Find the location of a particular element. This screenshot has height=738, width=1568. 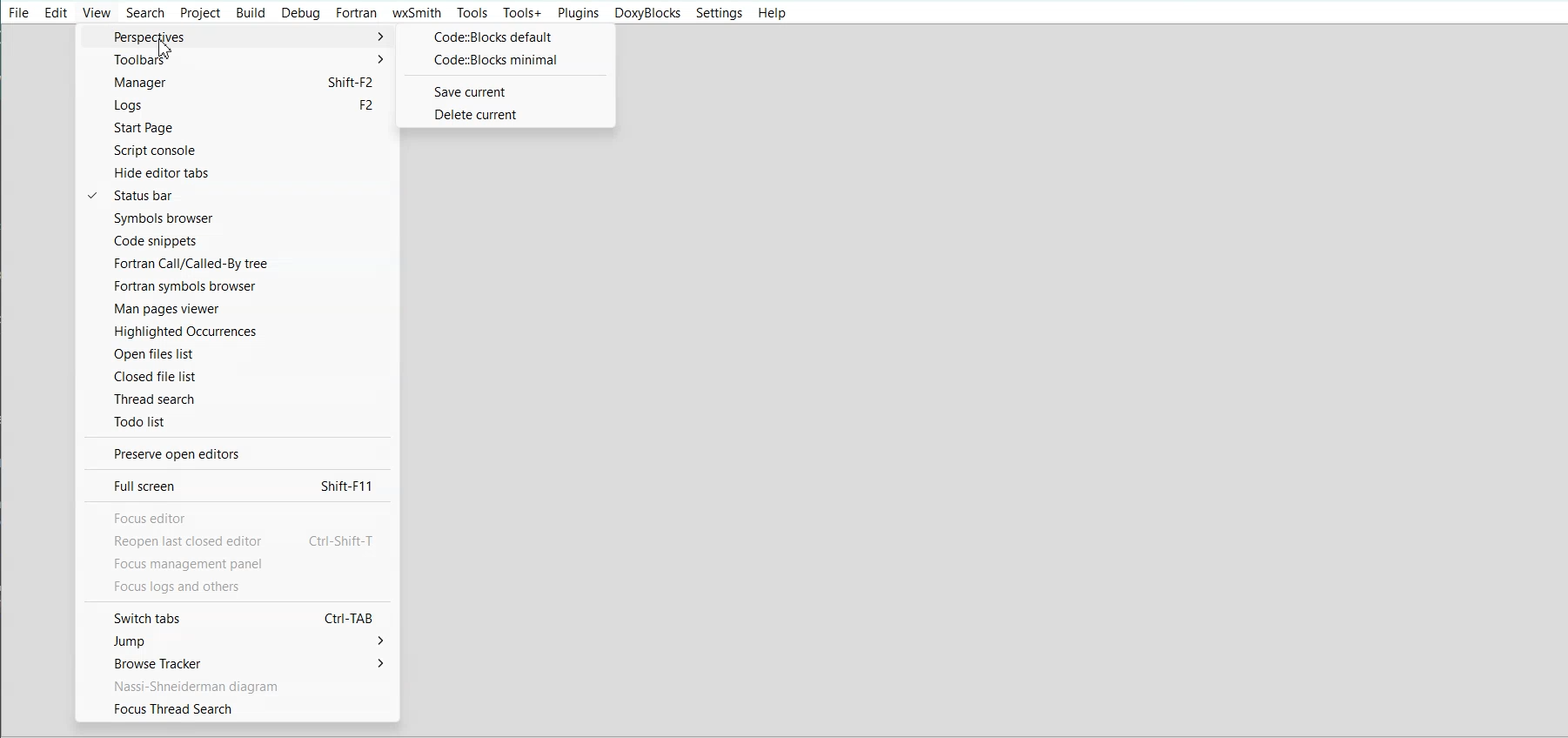

Code:: Blocks minimal is located at coordinates (504, 62).